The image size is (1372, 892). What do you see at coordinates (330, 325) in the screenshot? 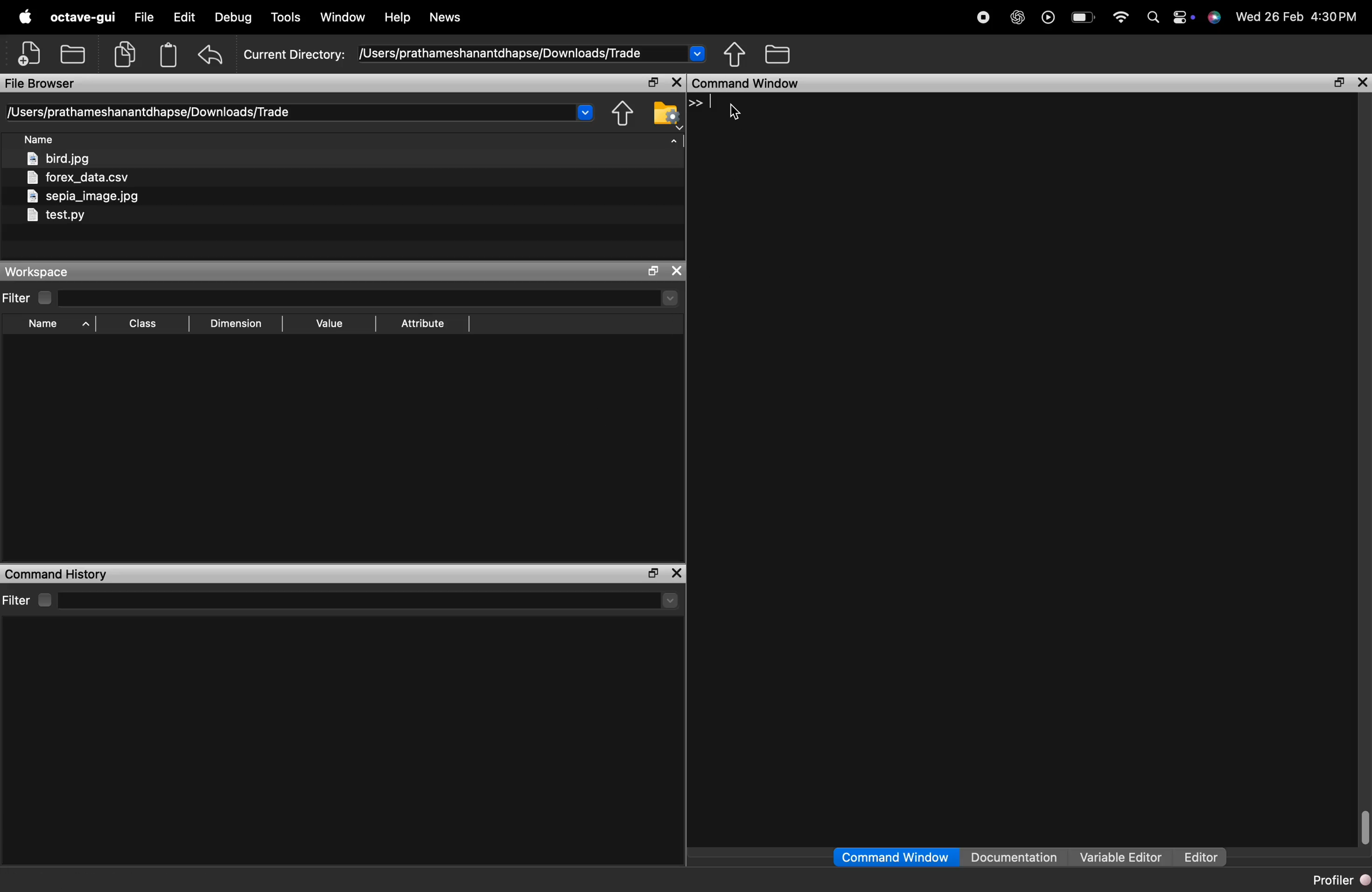
I see `Value` at bounding box center [330, 325].